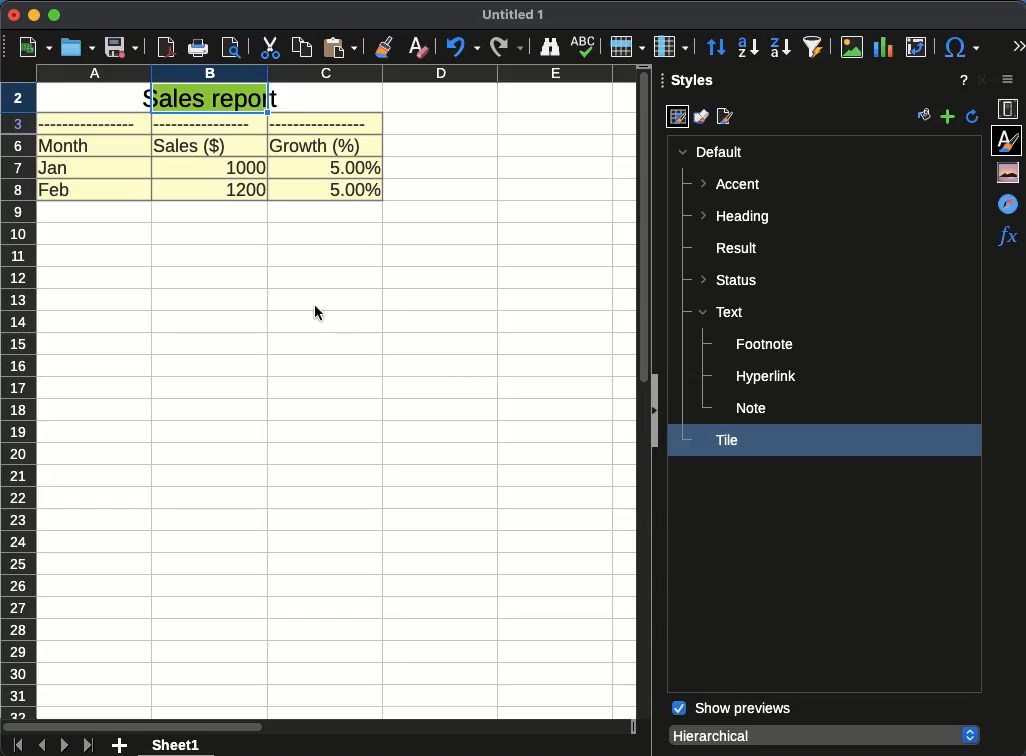 The width and height of the screenshot is (1026, 756). What do you see at coordinates (644, 225) in the screenshot?
I see `scroll` at bounding box center [644, 225].